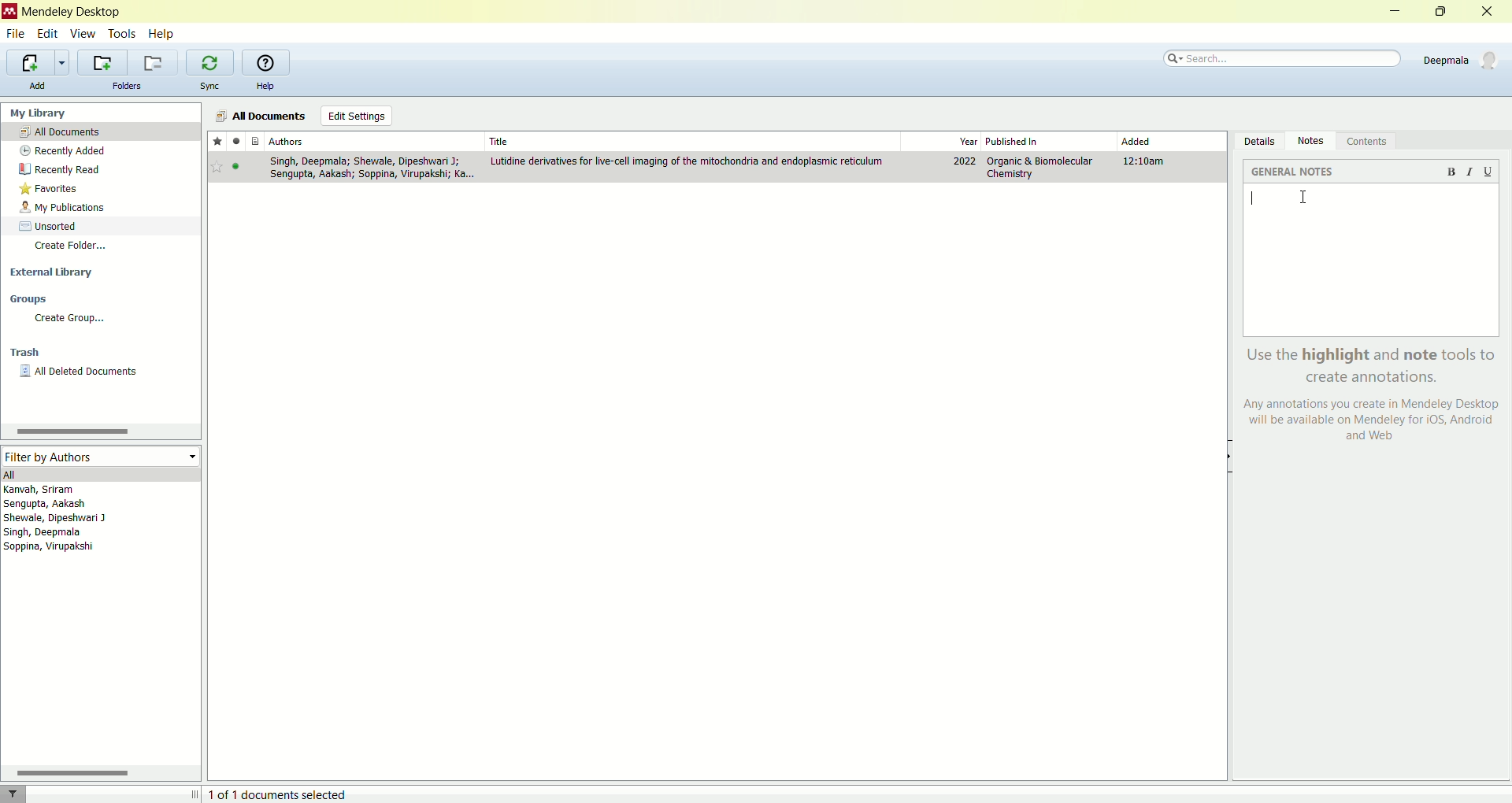 Image resolution: width=1512 pixels, height=803 pixels. I want to click on Scrollbar, so click(70, 432).